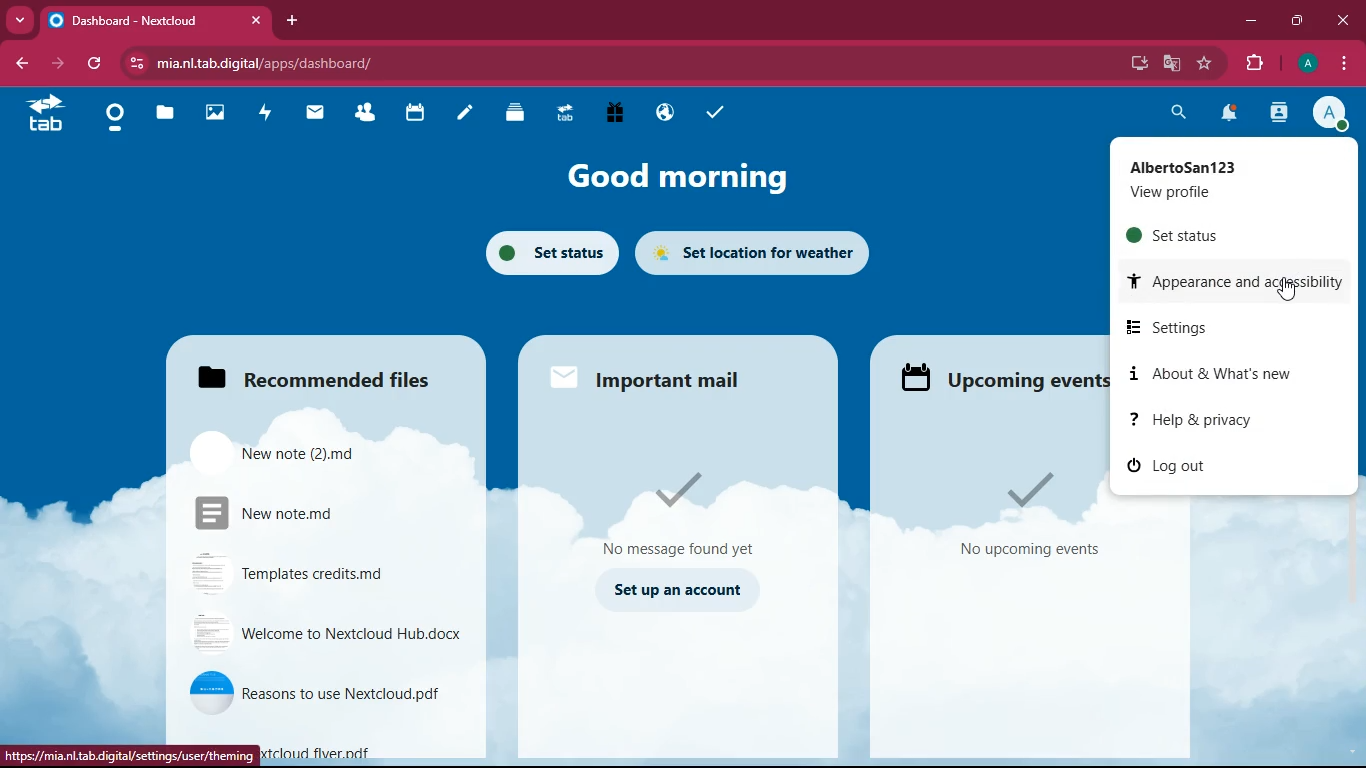  Describe the element at coordinates (131, 755) in the screenshot. I see `` at that location.